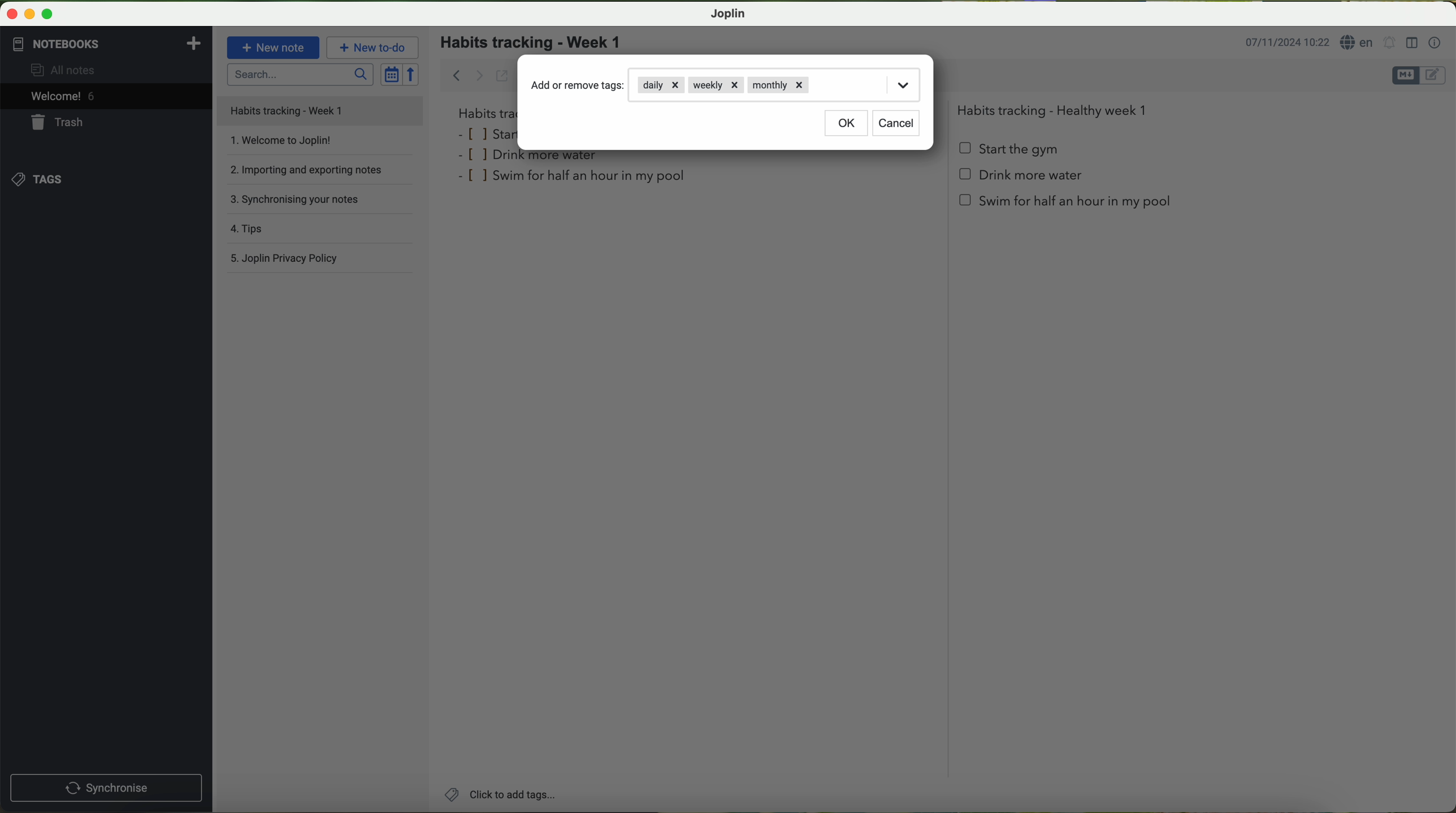 The width and height of the screenshot is (1456, 813). What do you see at coordinates (579, 85) in the screenshot?
I see `add or remove tags` at bounding box center [579, 85].